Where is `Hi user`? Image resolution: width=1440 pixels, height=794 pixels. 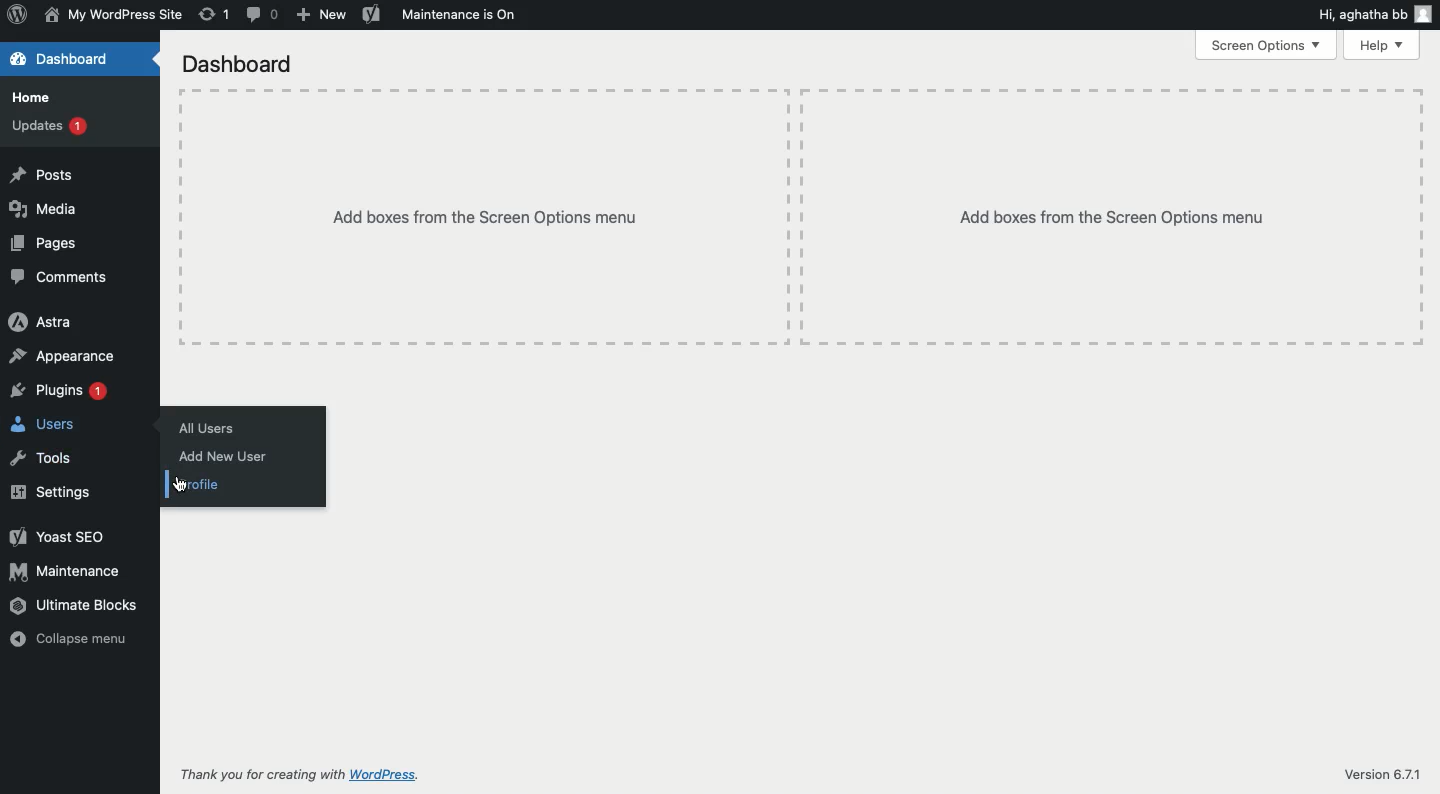
Hi user is located at coordinates (1374, 15).